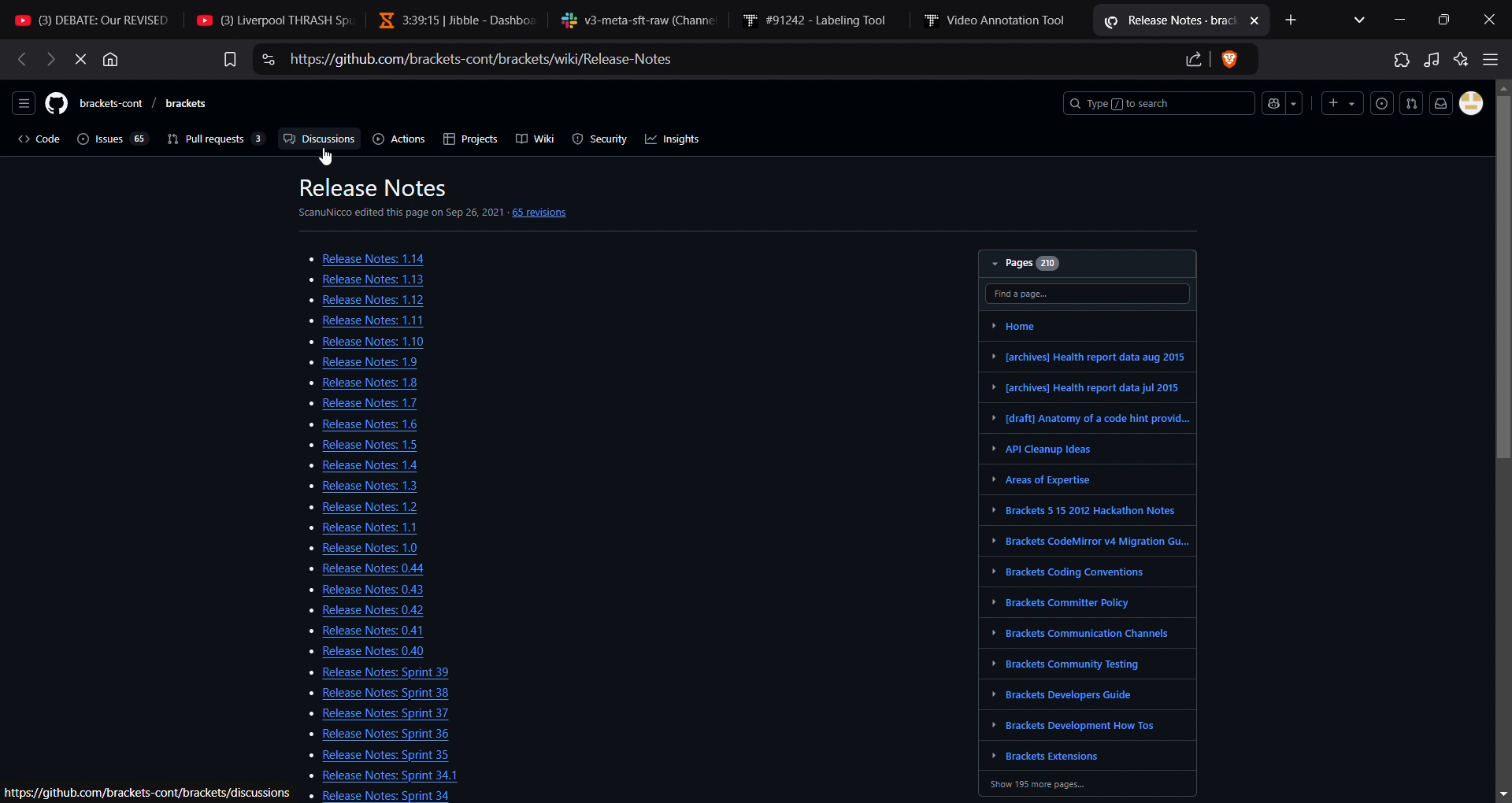 Image resolution: width=1512 pixels, height=803 pixels. Describe the element at coordinates (1401, 18) in the screenshot. I see `minimize` at that location.